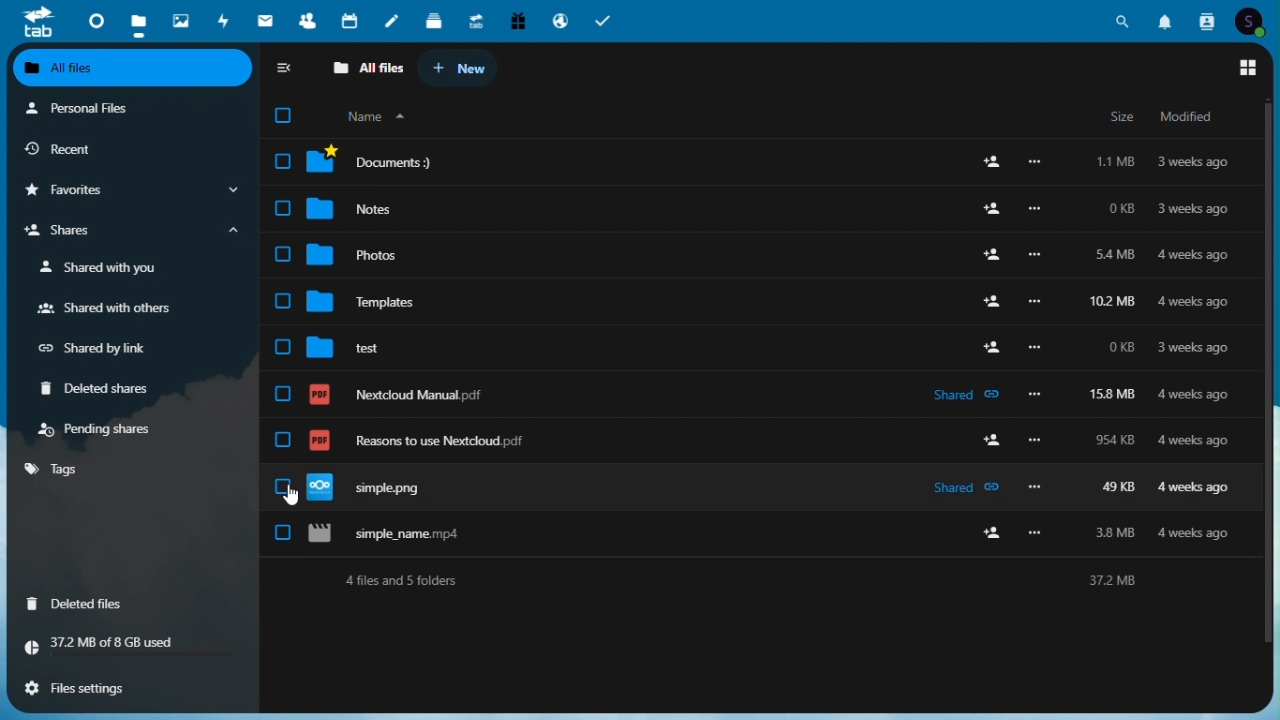 The height and width of the screenshot is (720, 1280). Describe the element at coordinates (367, 69) in the screenshot. I see `all files` at that location.